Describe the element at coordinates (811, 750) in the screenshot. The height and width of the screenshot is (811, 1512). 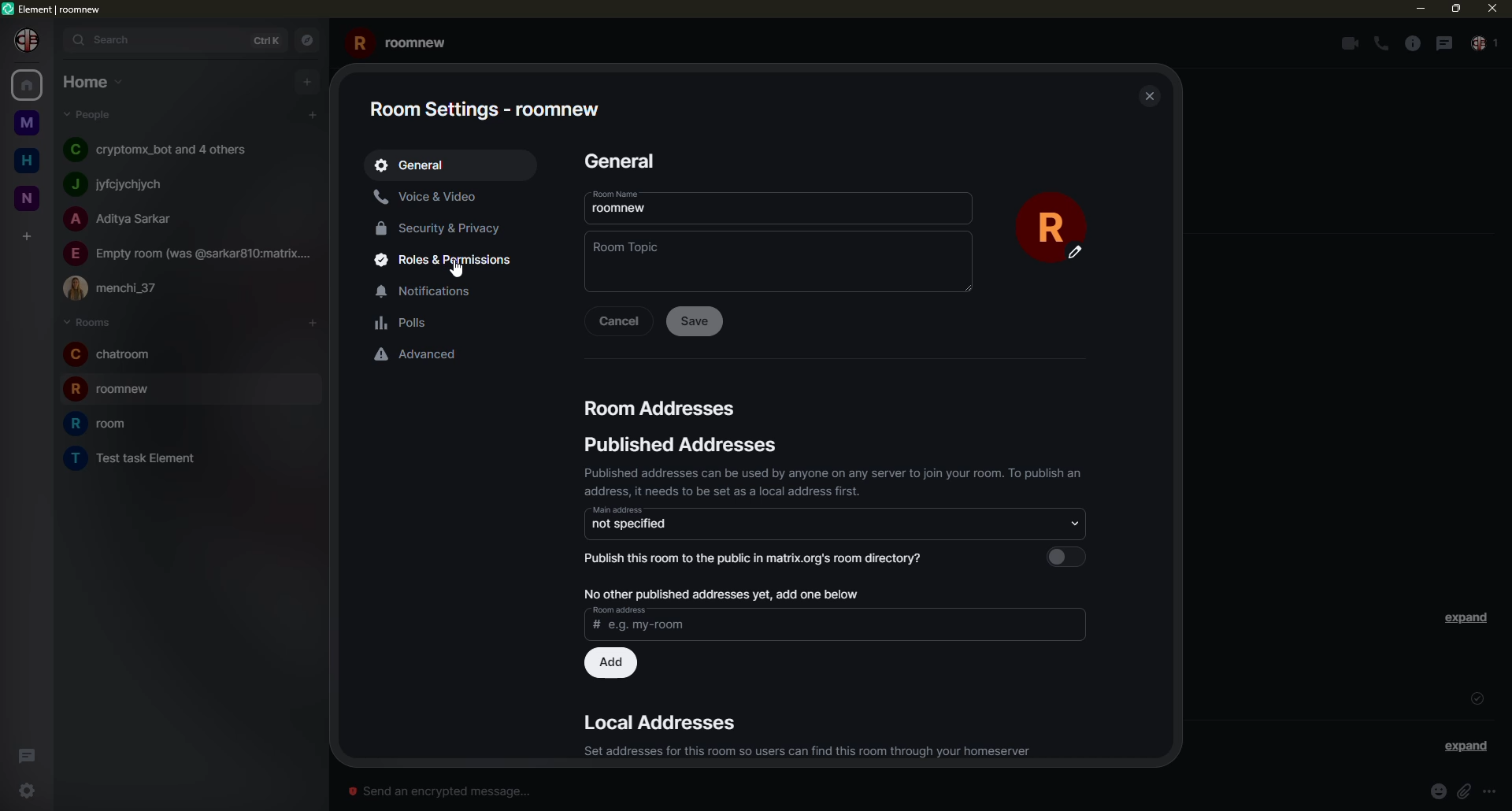
I see `set address for this room` at that location.